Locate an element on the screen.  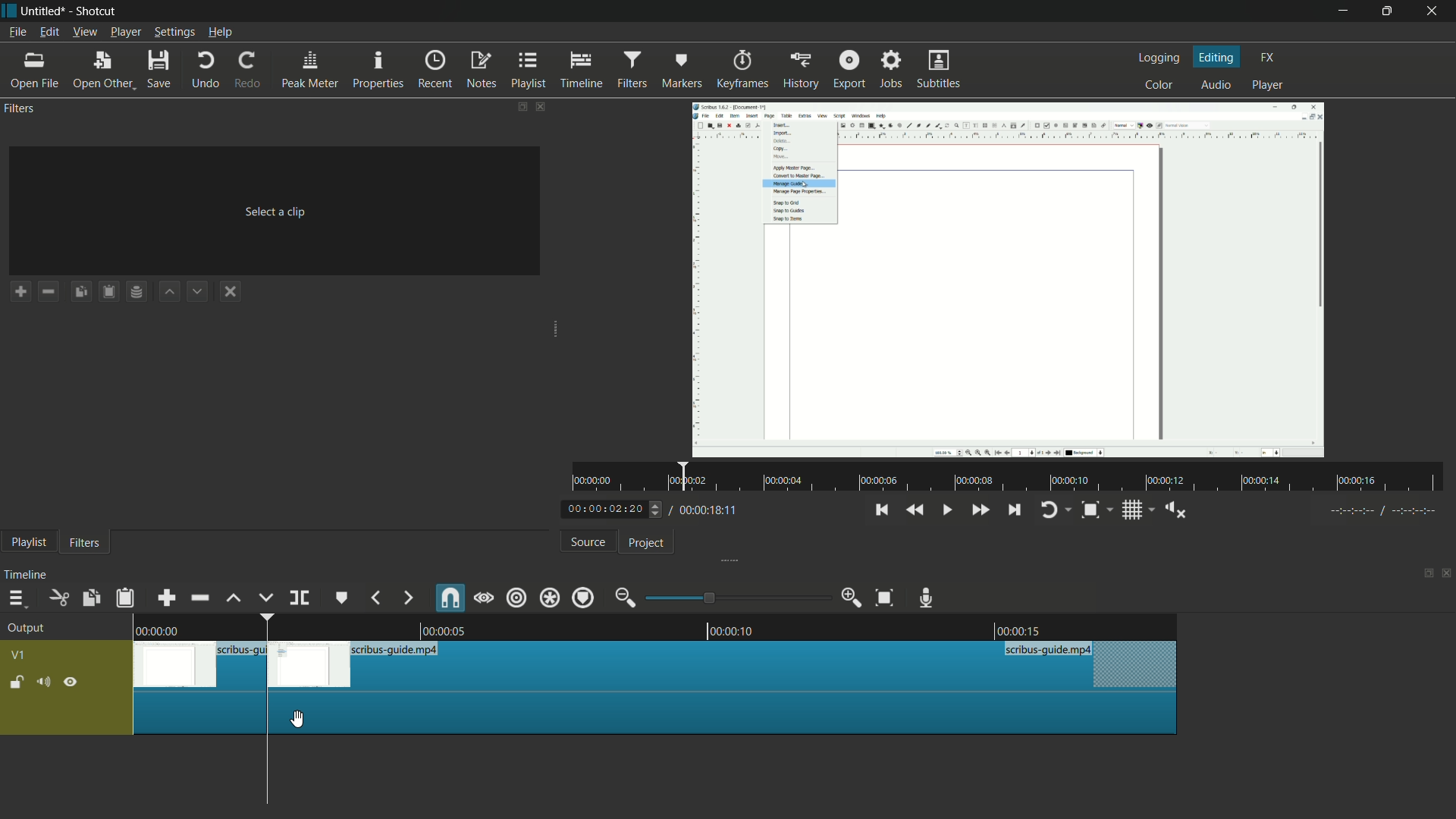
minimize is located at coordinates (1344, 11).